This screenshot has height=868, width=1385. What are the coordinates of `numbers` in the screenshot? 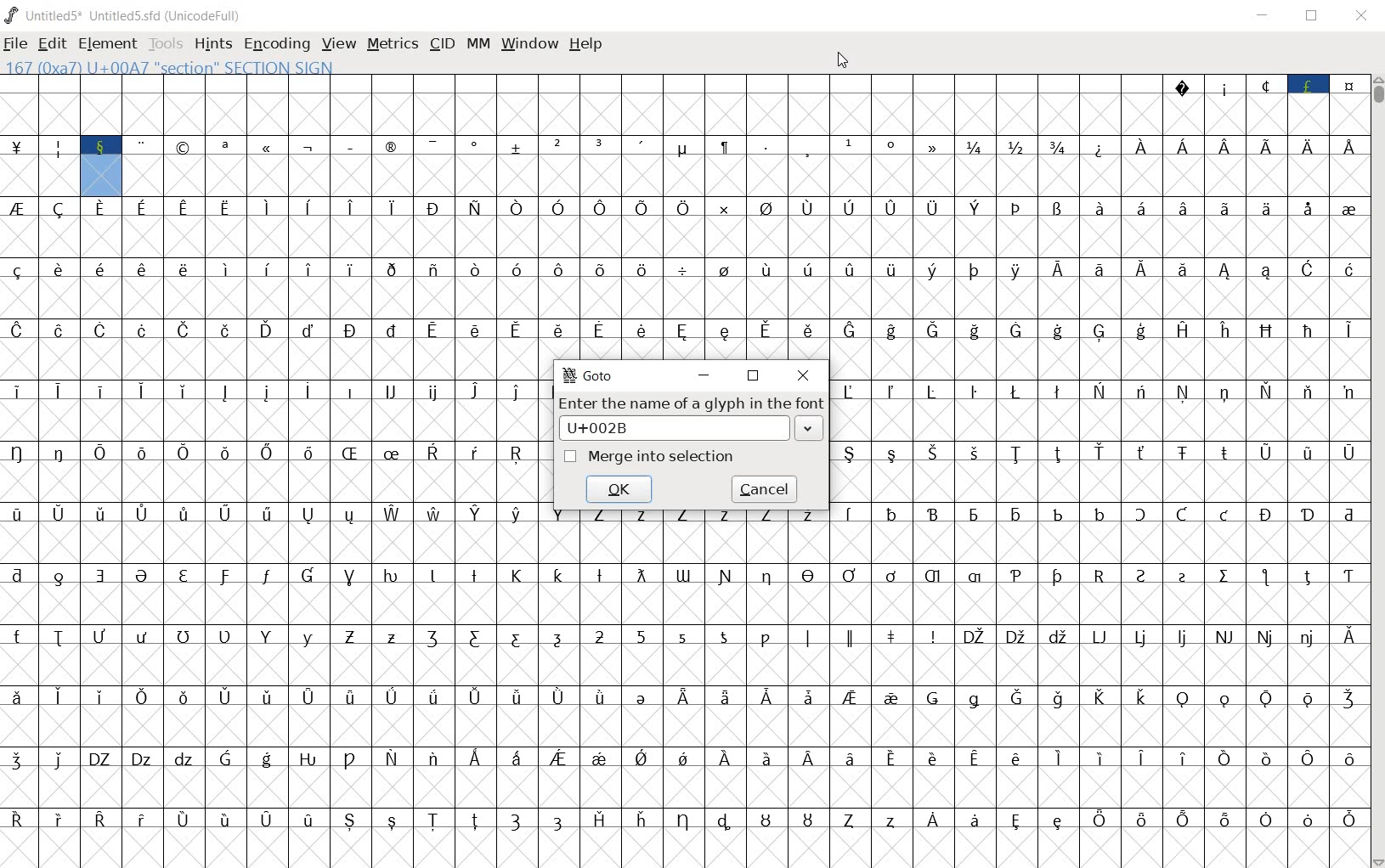 It's located at (663, 656).